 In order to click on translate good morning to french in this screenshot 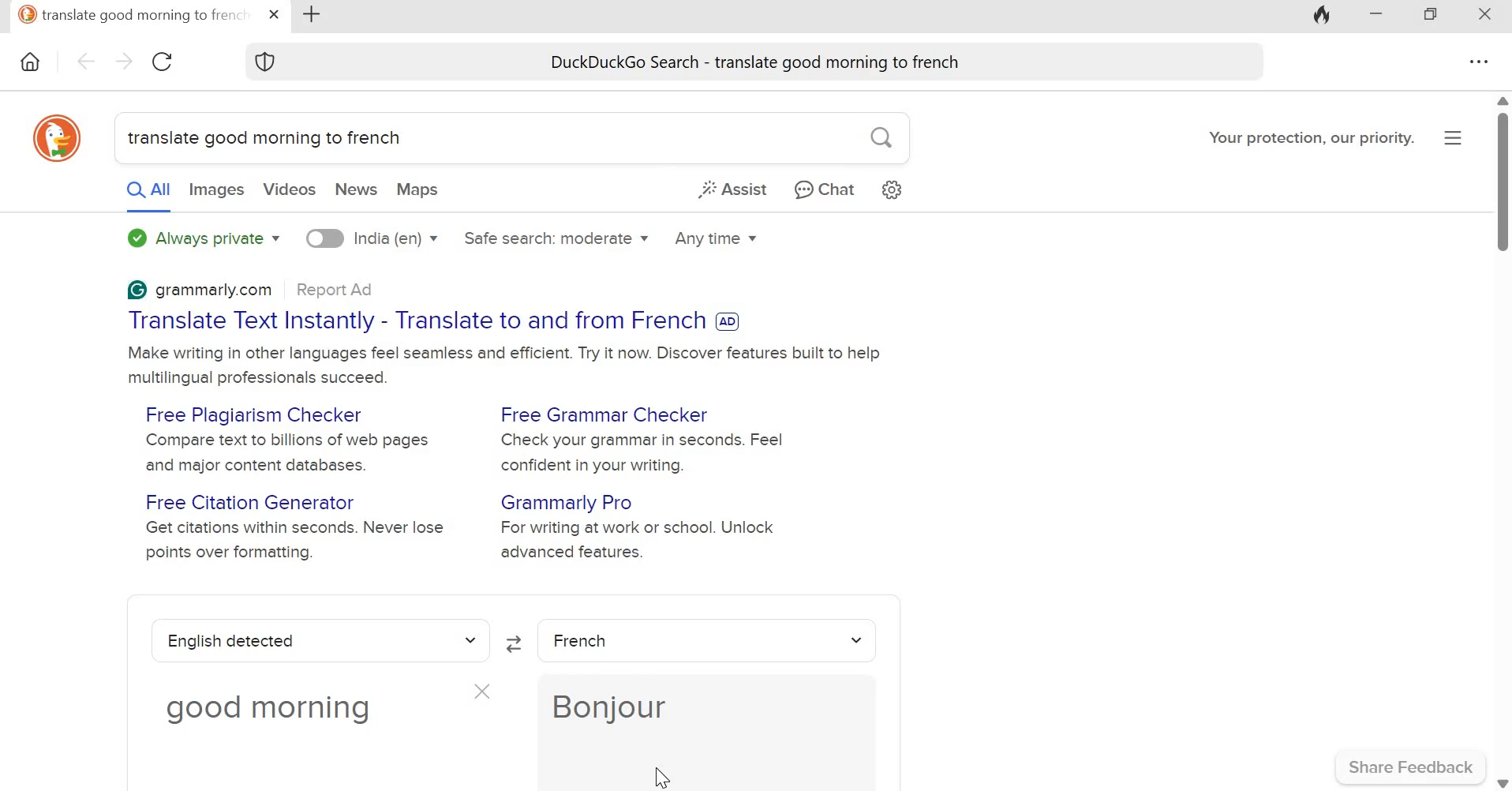, I will do `click(481, 138)`.